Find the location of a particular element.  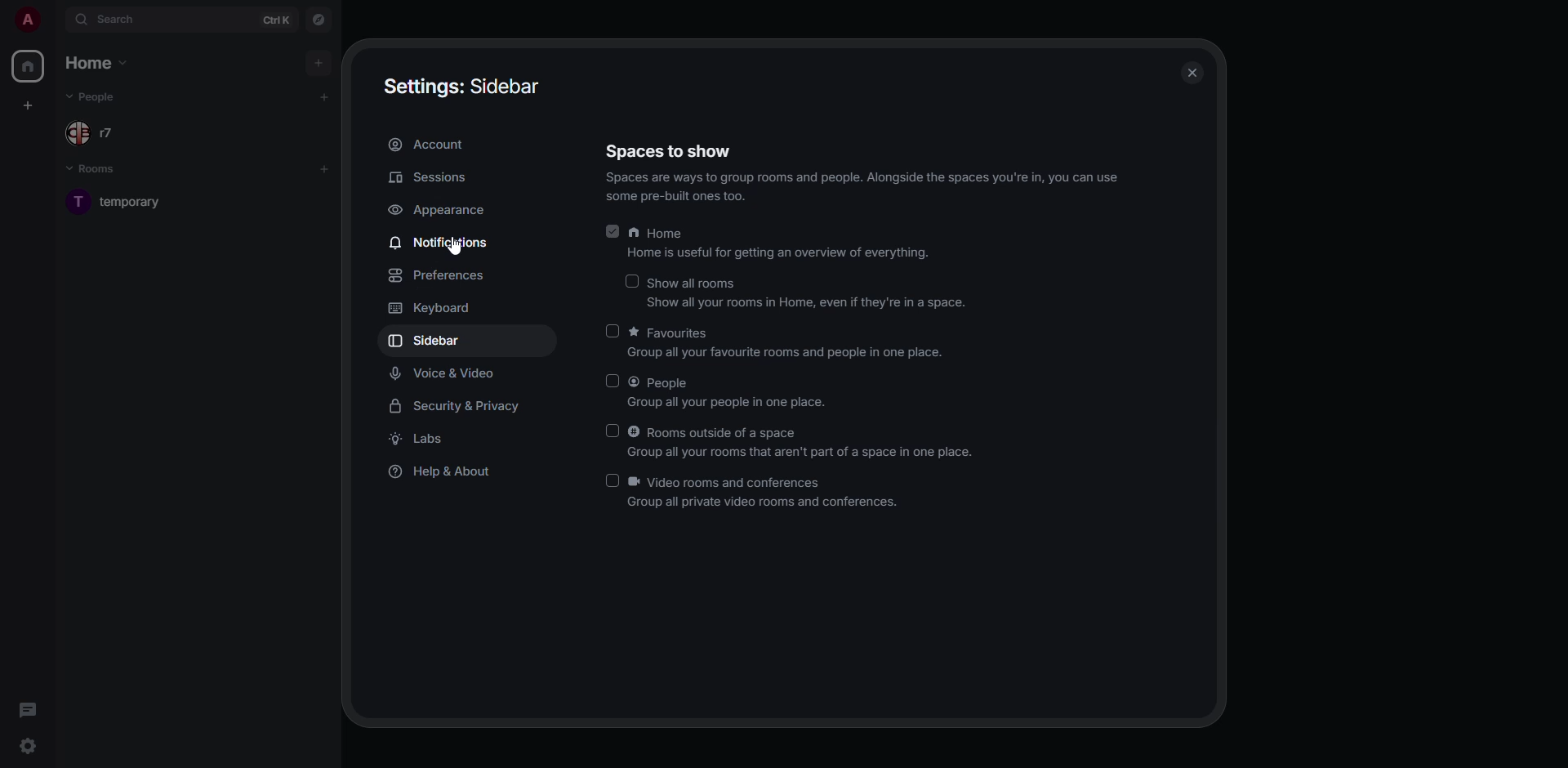

settings sidebar is located at coordinates (462, 87).